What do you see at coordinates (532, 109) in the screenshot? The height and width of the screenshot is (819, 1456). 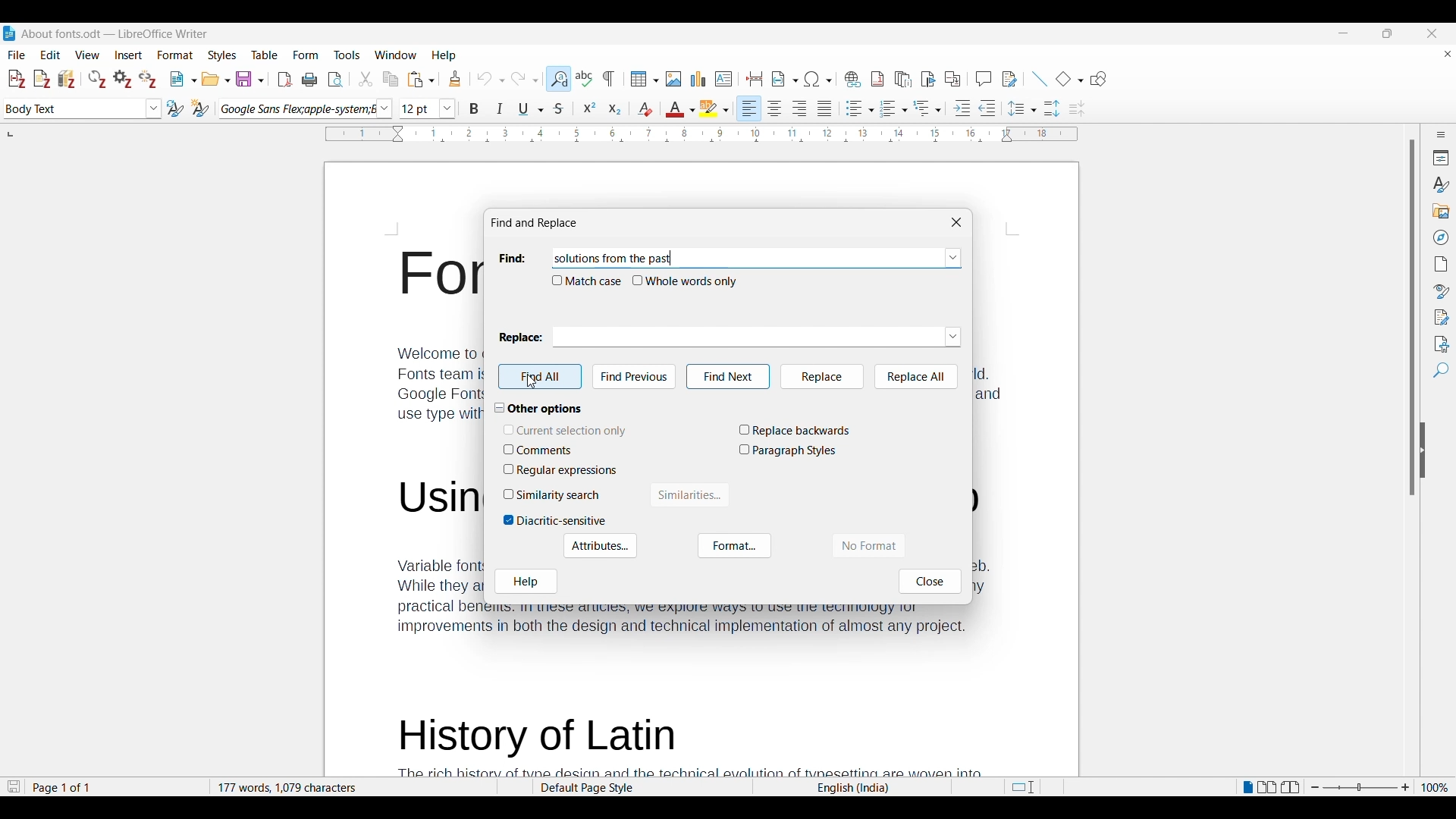 I see `Underline options` at bounding box center [532, 109].